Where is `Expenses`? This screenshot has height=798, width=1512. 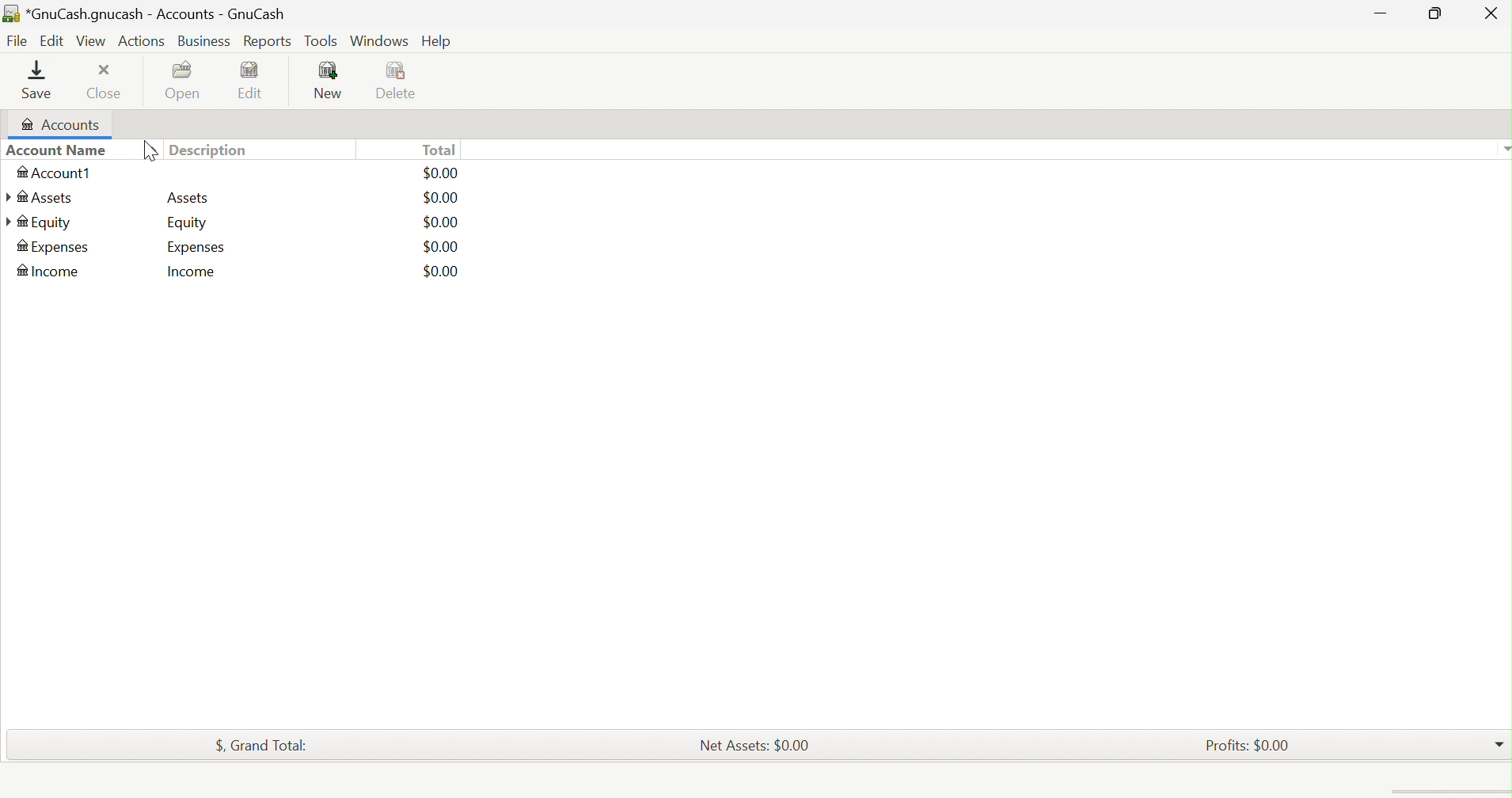 Expenses is located at coordinates (54, 224).